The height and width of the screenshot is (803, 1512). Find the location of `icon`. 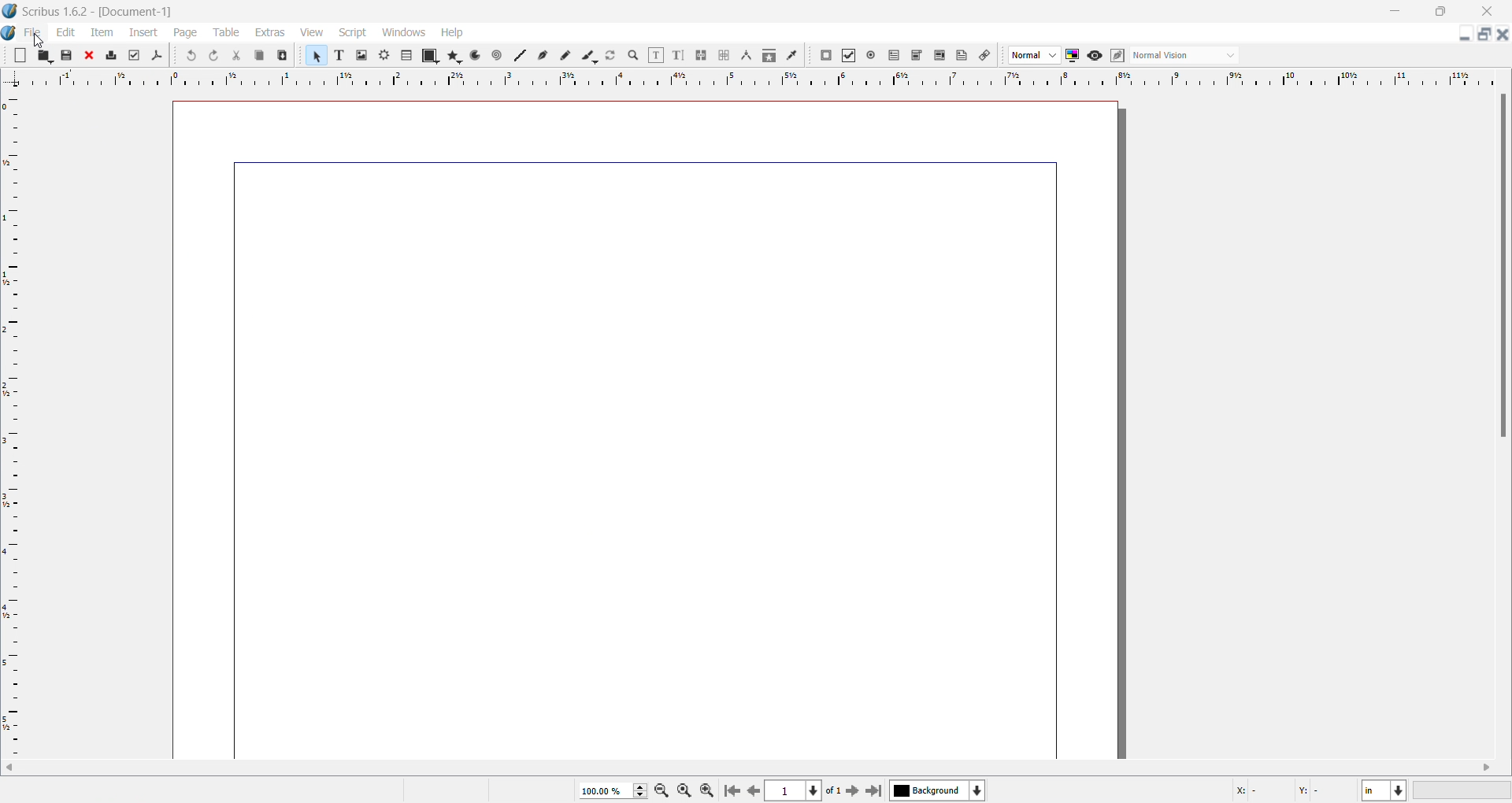

icon is located at coordinates (959, 55).